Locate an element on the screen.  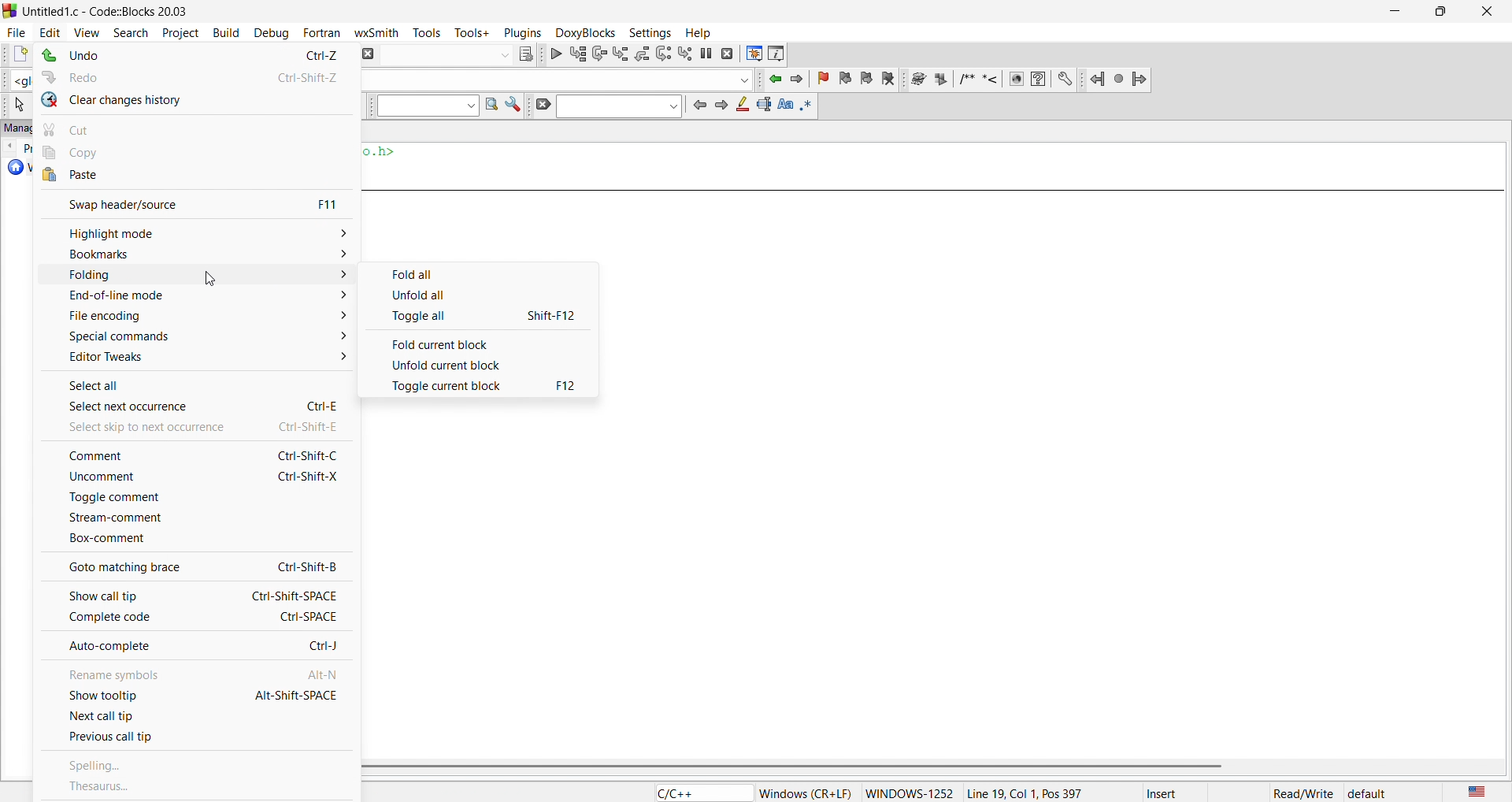
maximize/restore is located at coordinates (1436, 13).